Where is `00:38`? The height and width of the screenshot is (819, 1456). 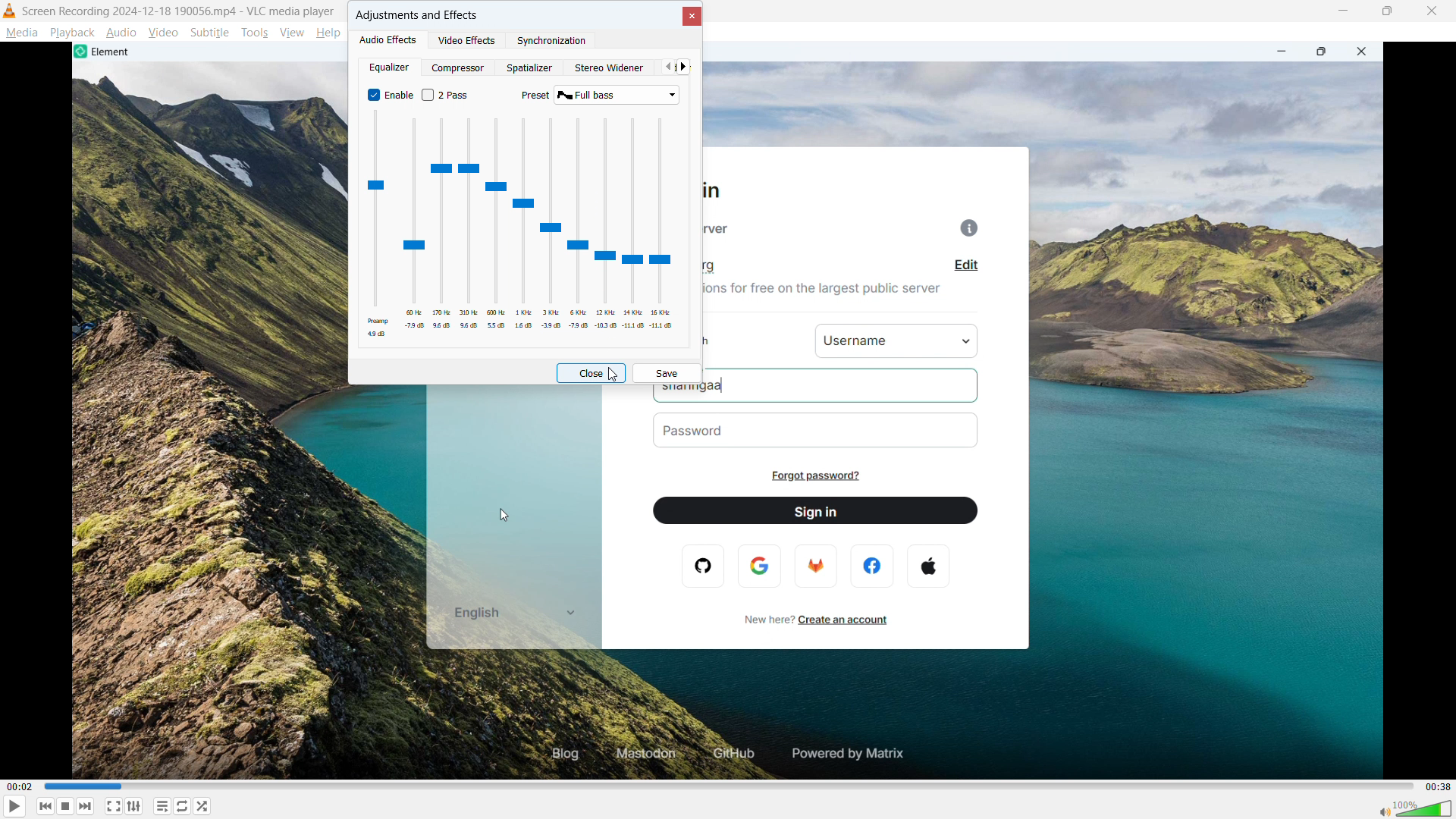 00:38 is located at coordinates (1438, 788).